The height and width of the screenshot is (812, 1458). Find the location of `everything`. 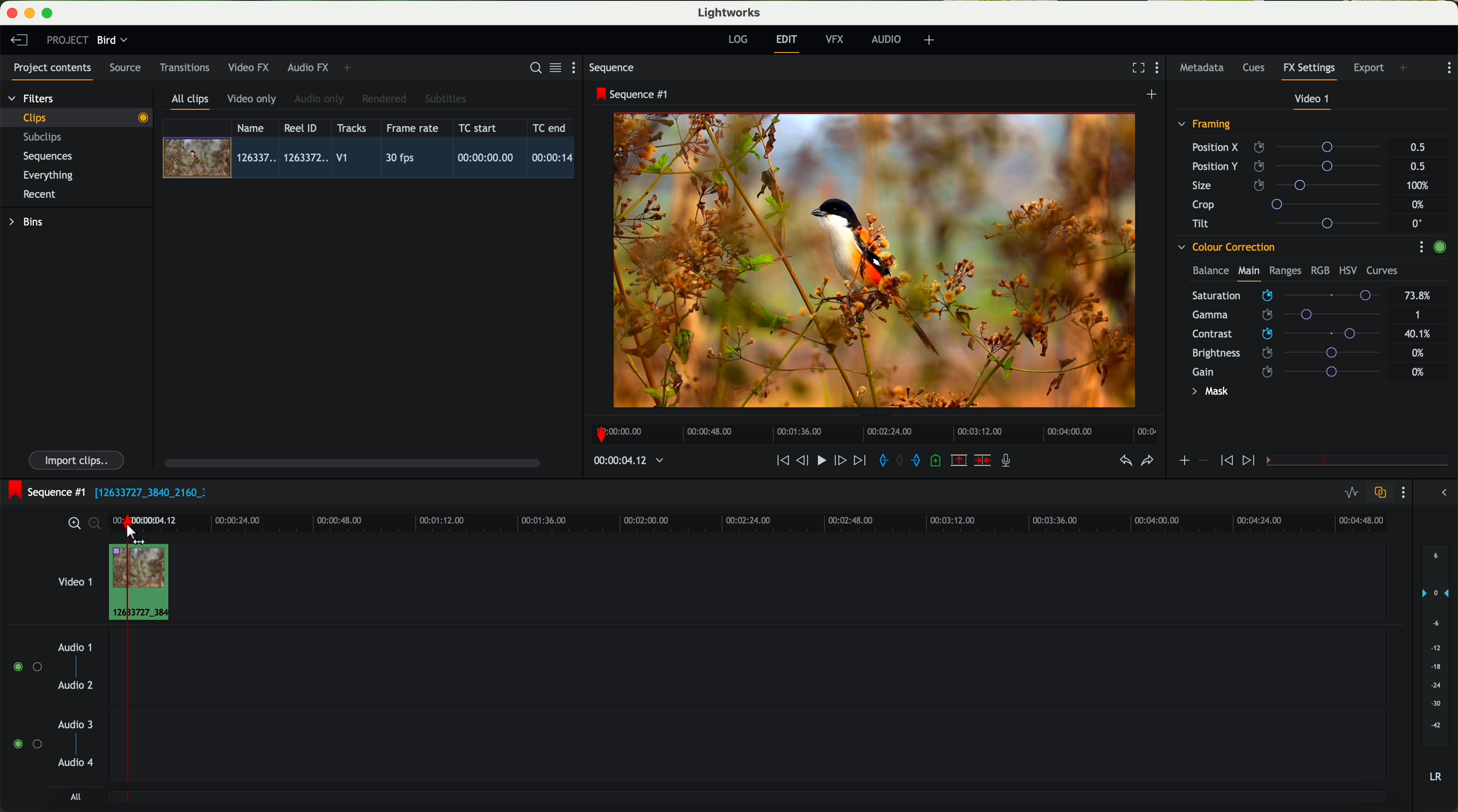

everything is located at coordinates (49, 175).